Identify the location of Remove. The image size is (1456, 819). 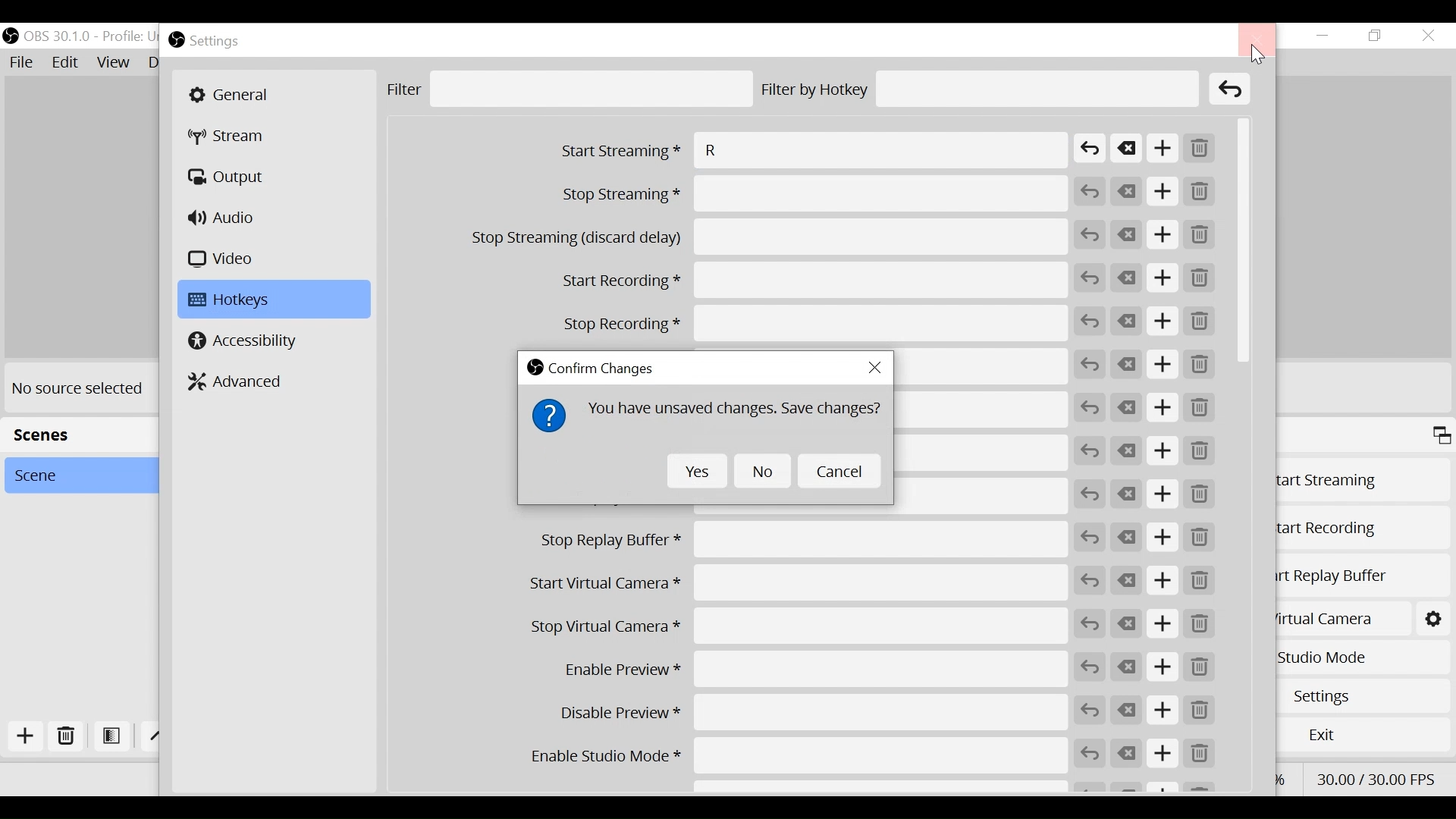
(1200, 711).